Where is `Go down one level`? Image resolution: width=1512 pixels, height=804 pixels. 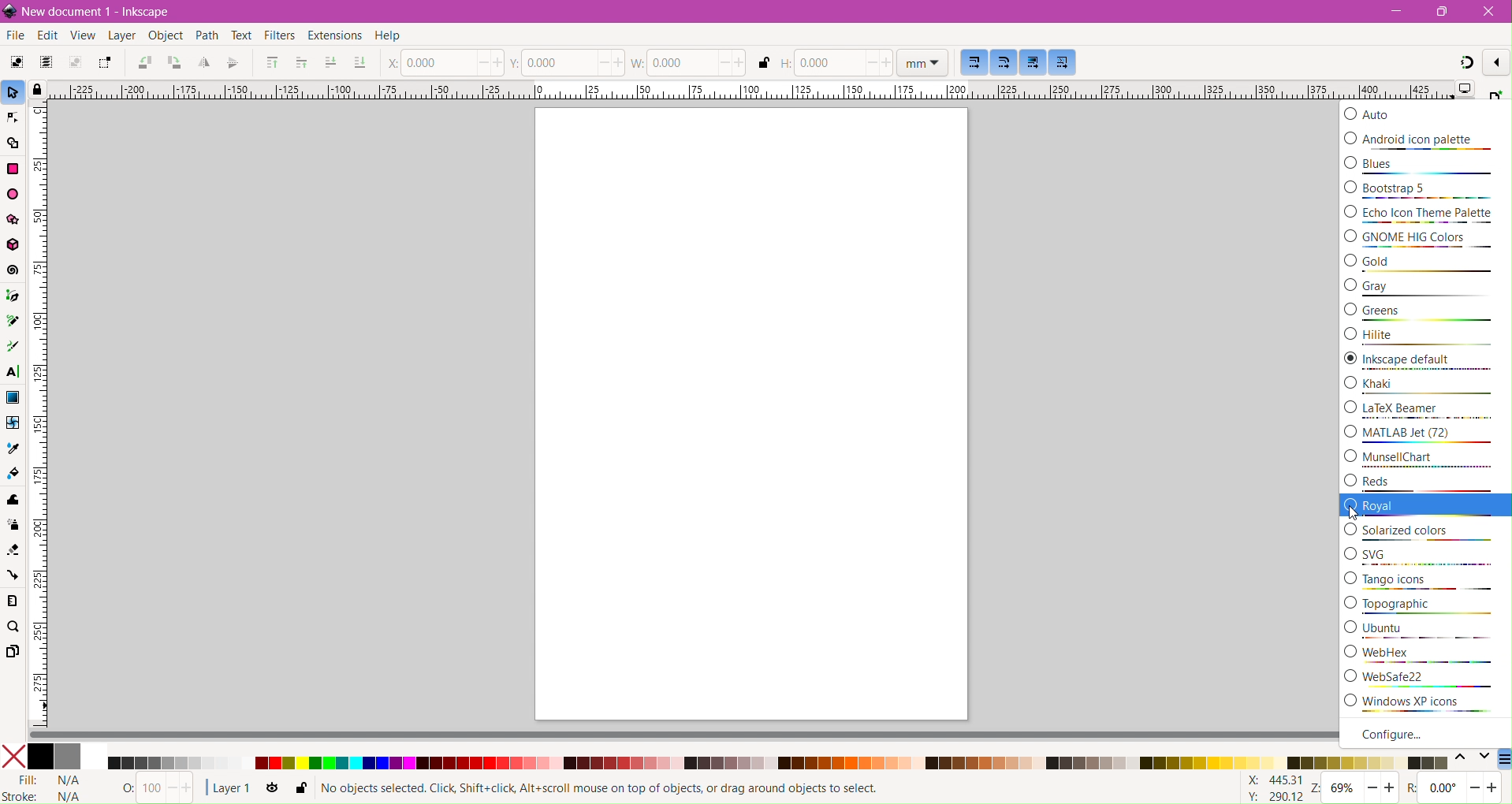
Go down one level is located at coordinates (1484, 760).